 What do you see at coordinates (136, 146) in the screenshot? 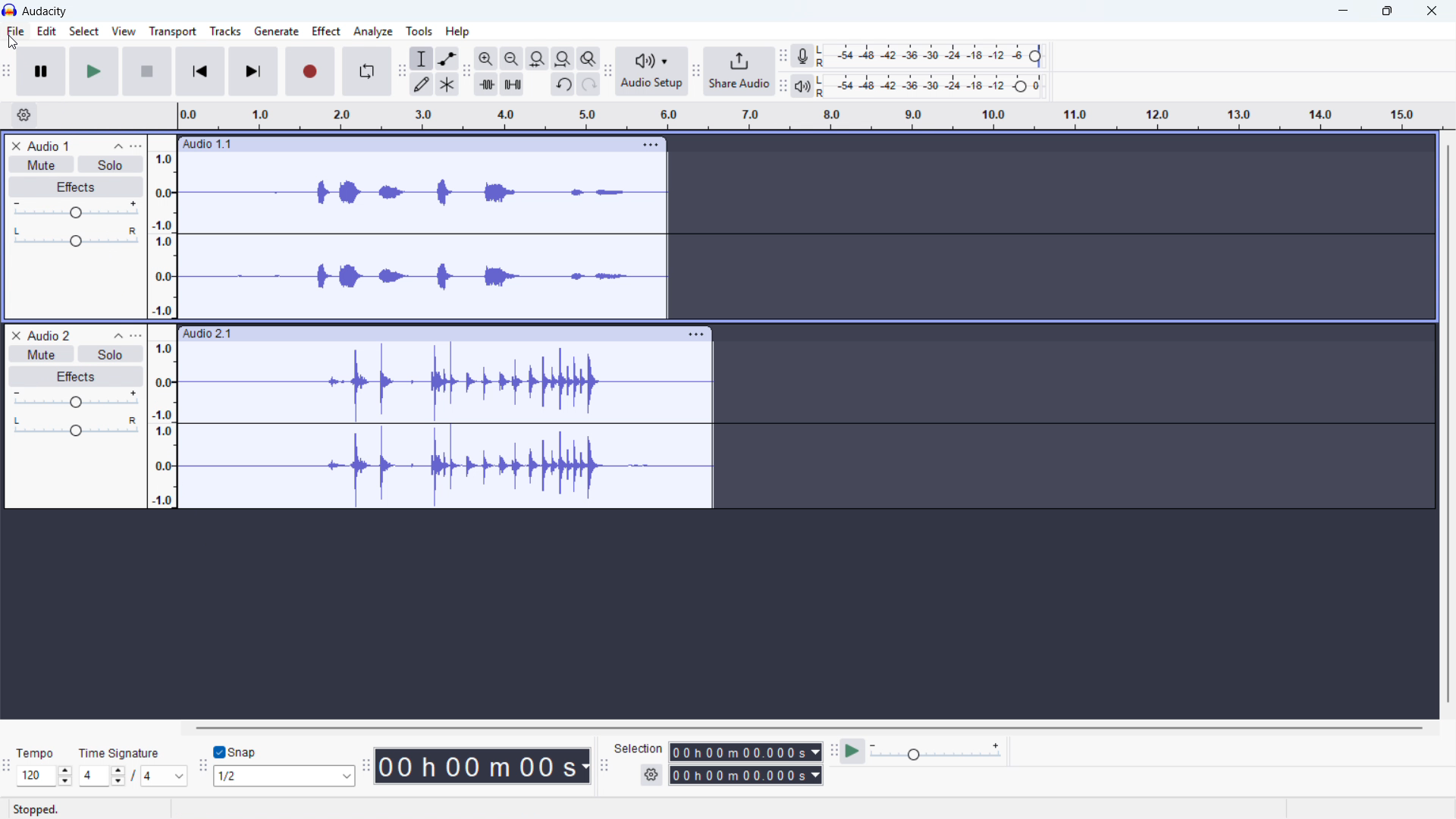
I see `Track control panel menu` at bounding box center [136, 146].